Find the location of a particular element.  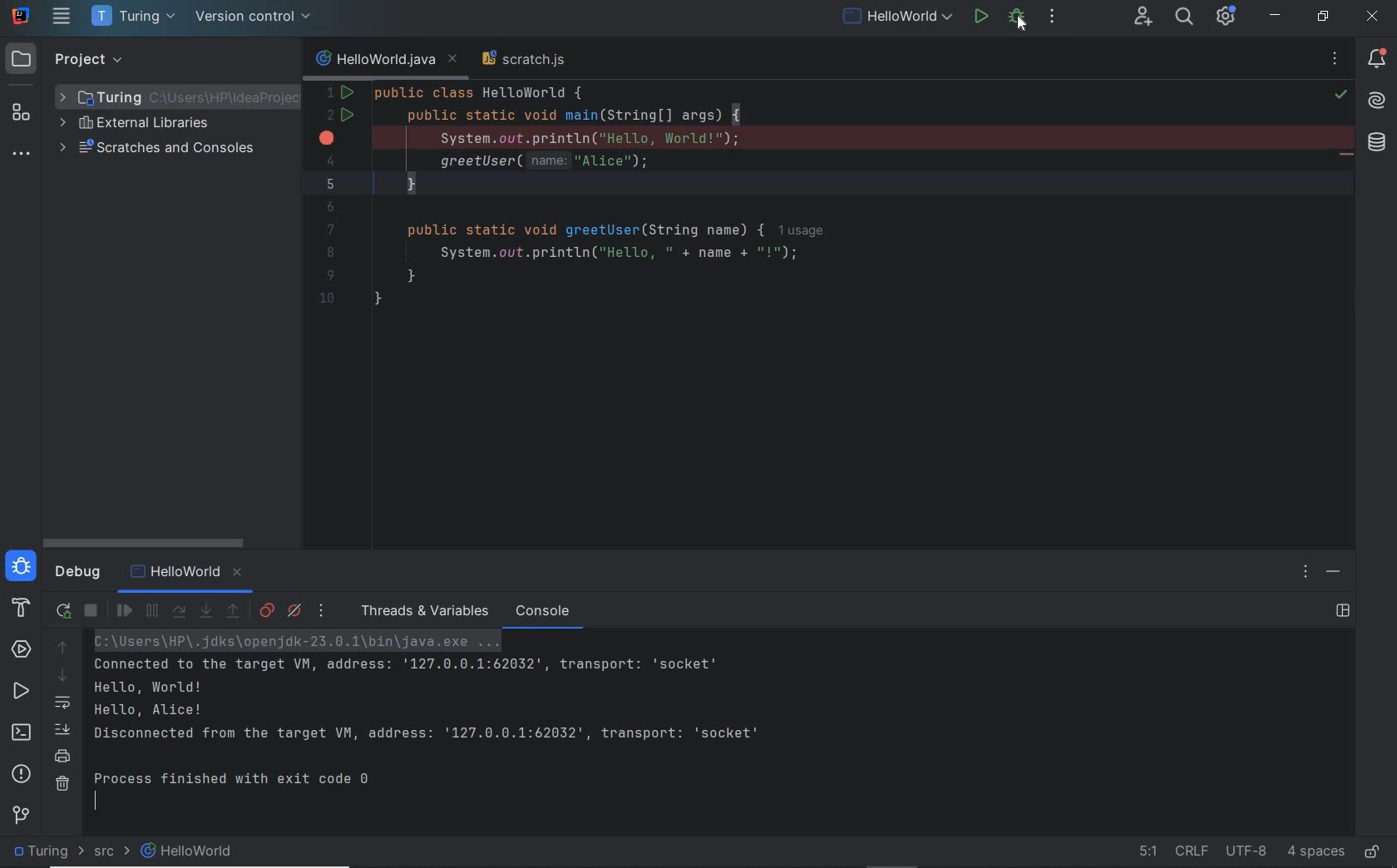

soft-wrap is located at coordinates (64, 703).